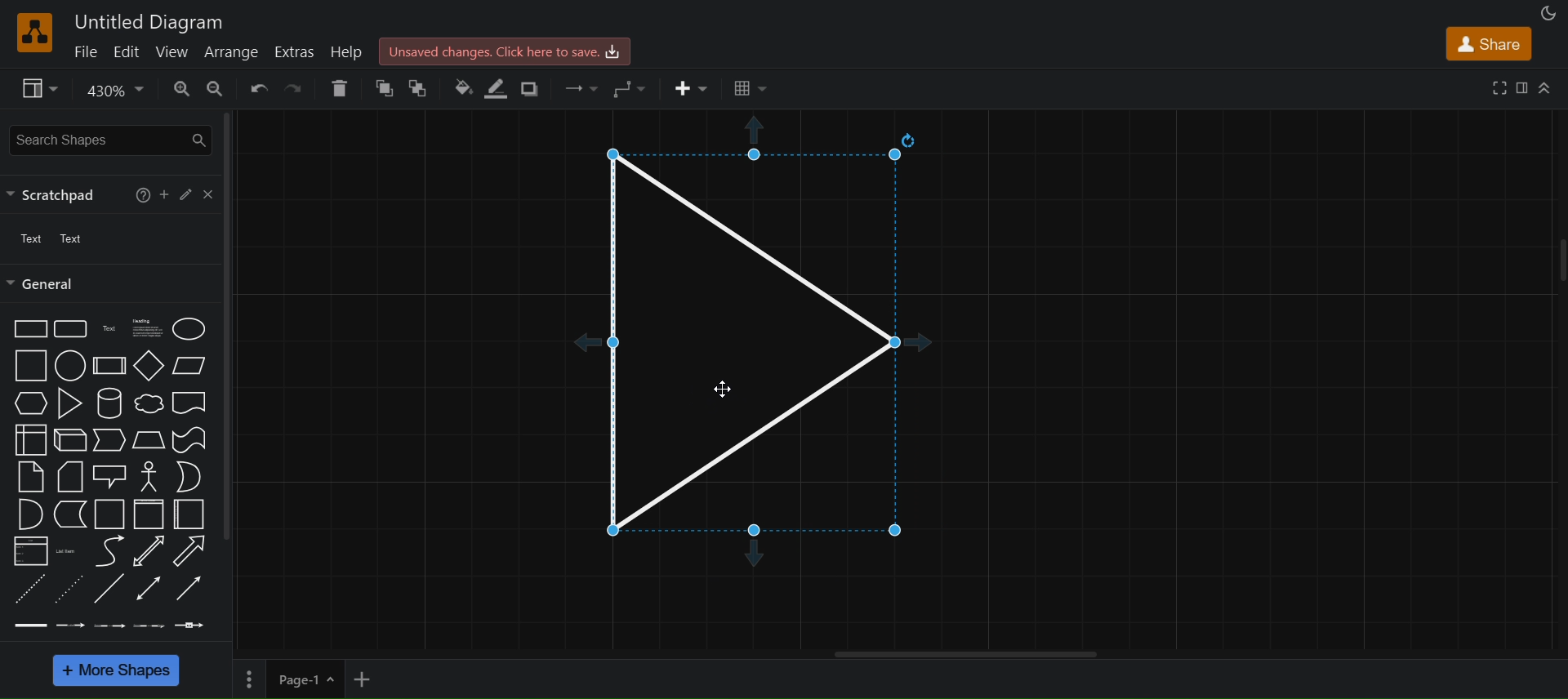 The image size is (1568, 699). What do you see at coordinates (113, 140) in the screenshot?
I see `search shapes` at bounding box center [113, 140].